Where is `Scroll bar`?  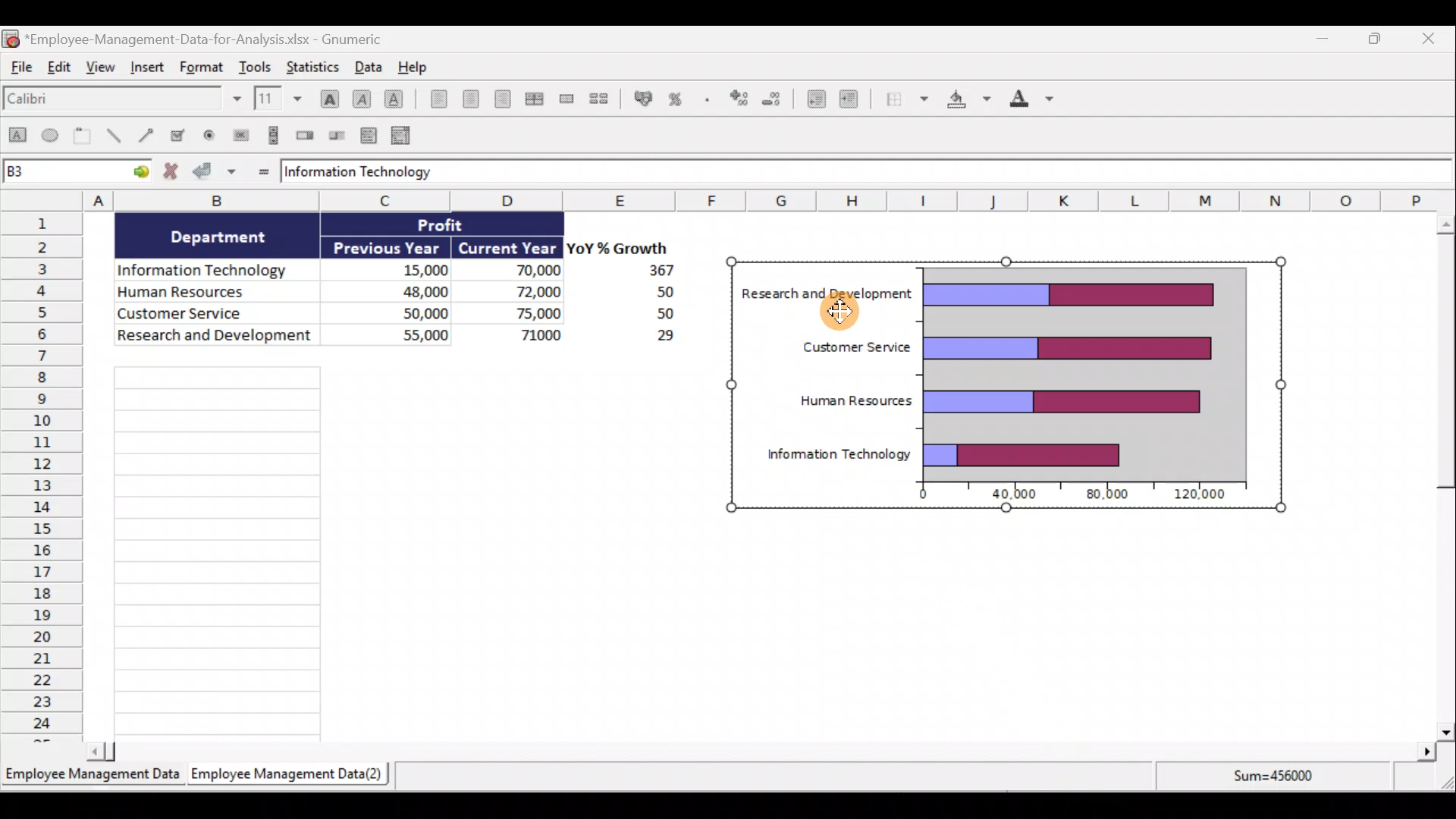 Scroll bar is located at coordinates (1439, 473).